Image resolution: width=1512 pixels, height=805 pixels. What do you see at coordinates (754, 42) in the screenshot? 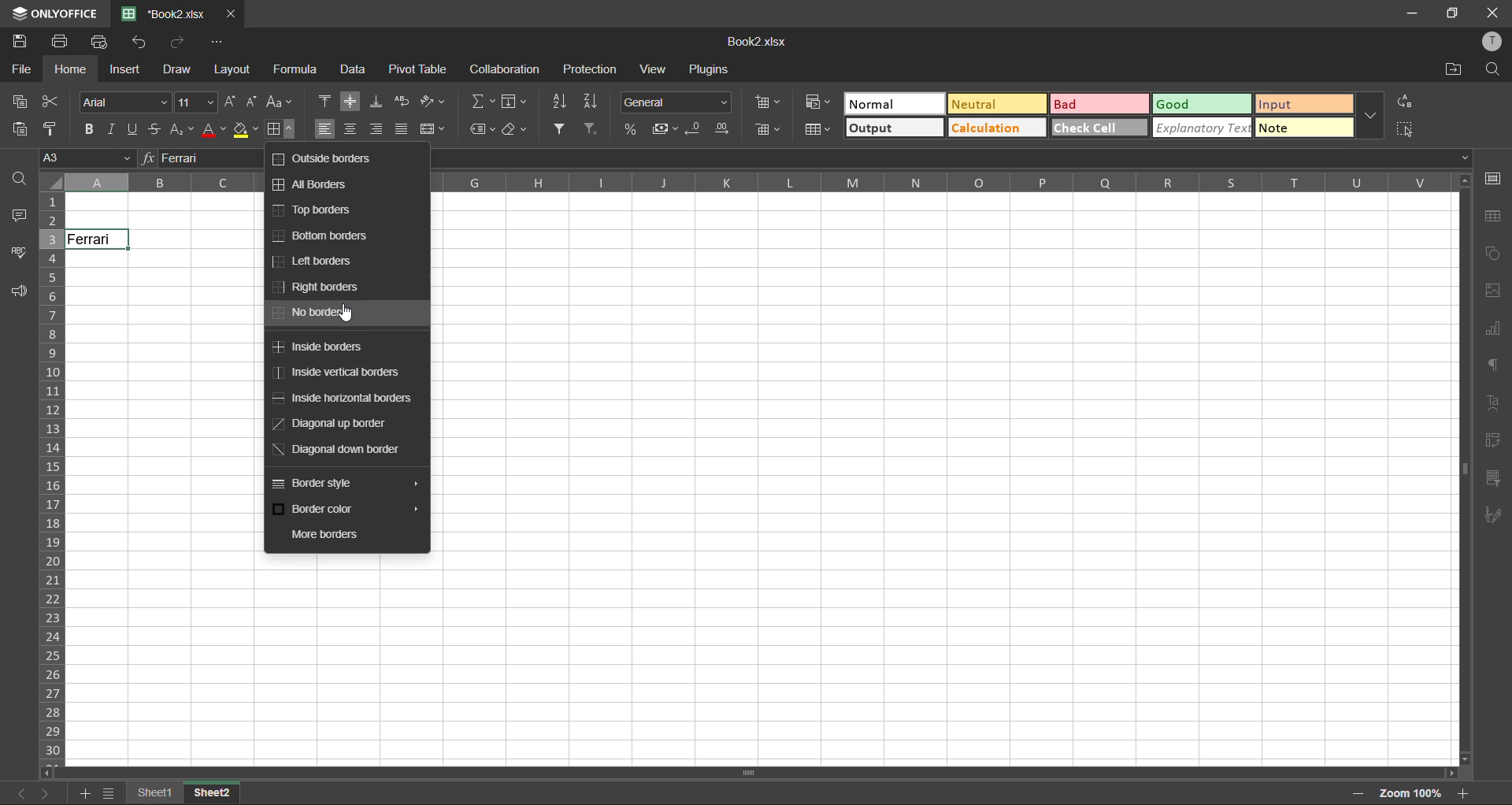
I see `file name` at bounding box center [754, 42].